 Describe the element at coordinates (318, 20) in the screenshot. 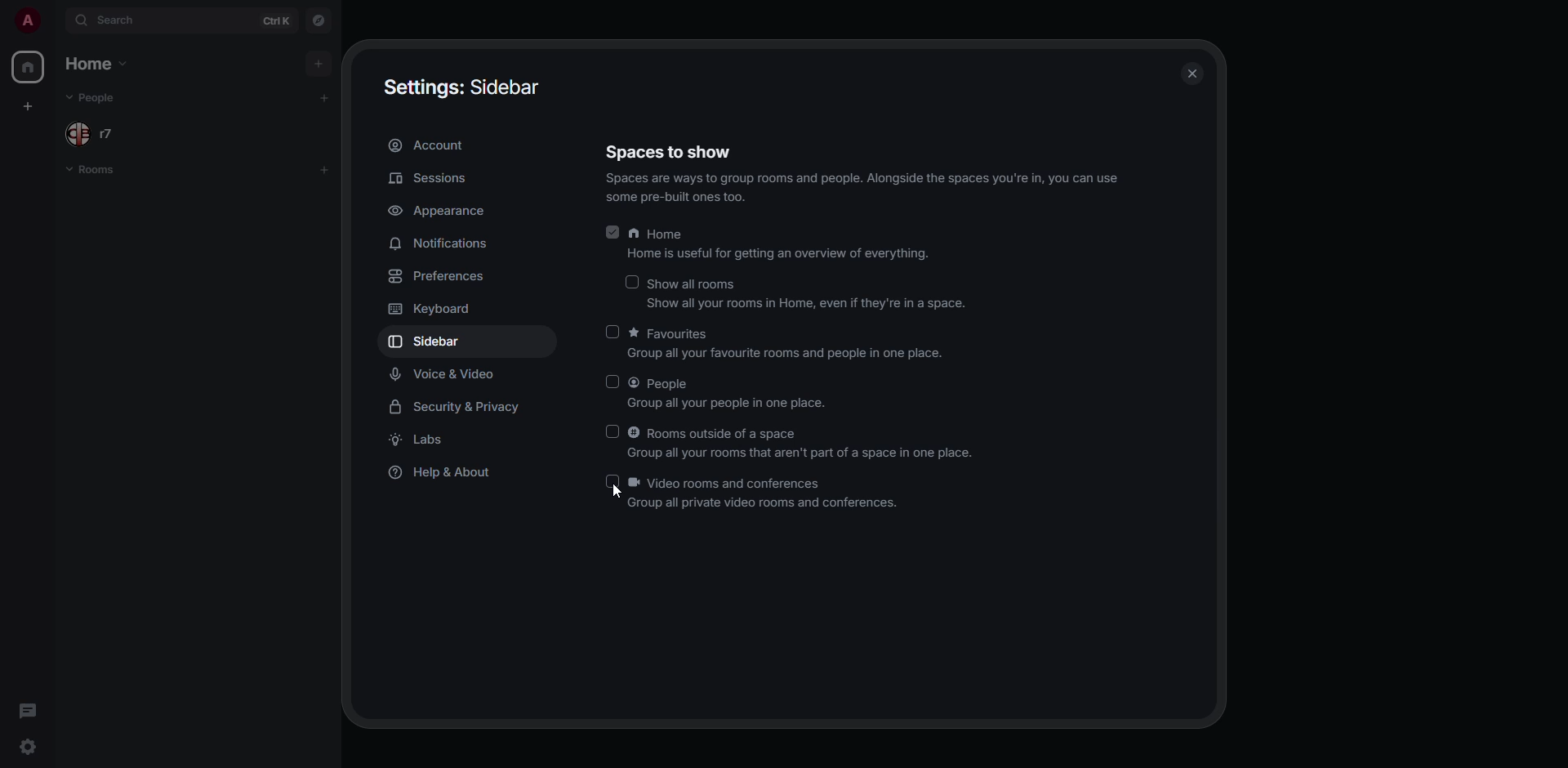

I see `navigator` at that location.